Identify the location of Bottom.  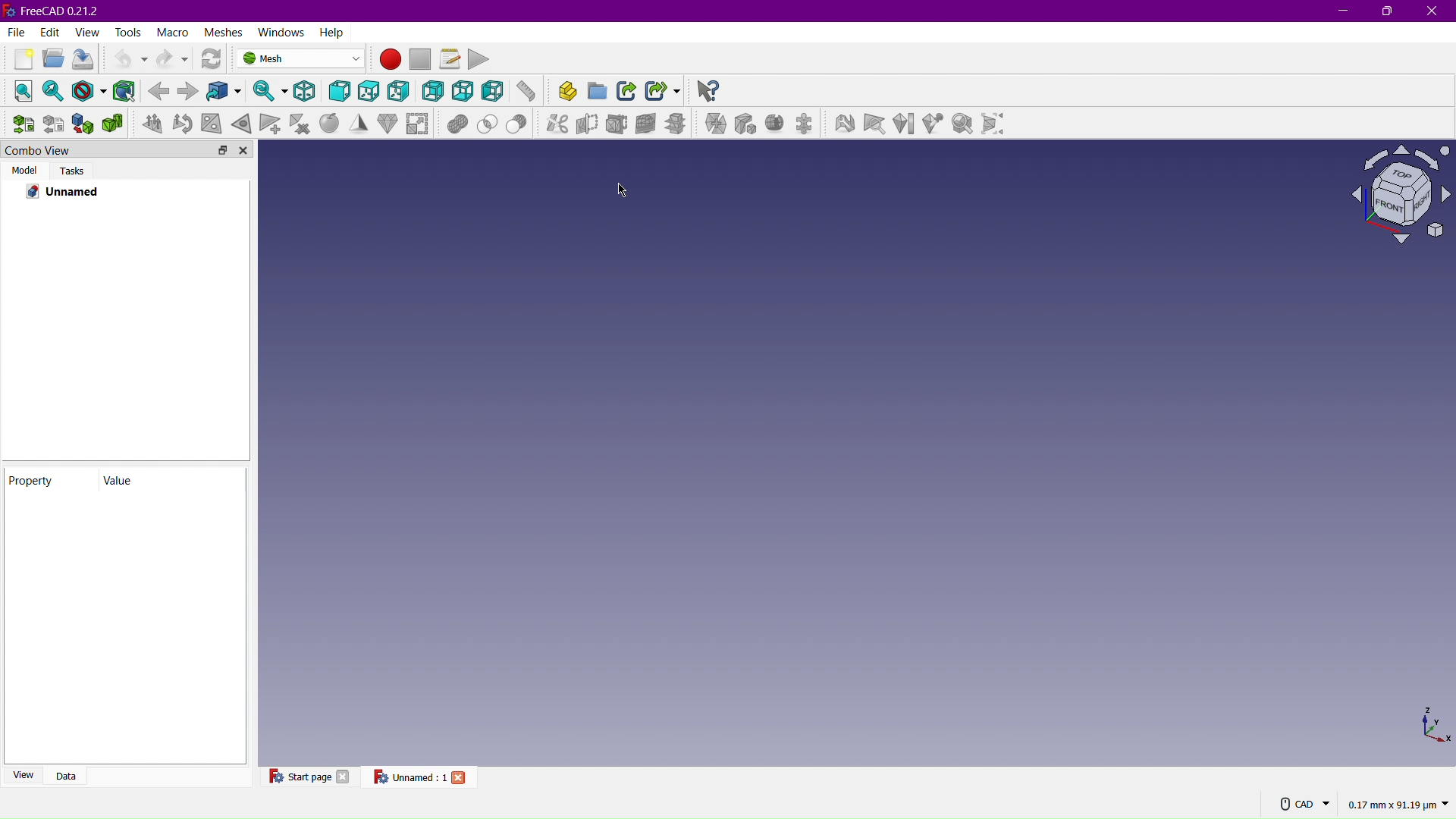
(465, 92).